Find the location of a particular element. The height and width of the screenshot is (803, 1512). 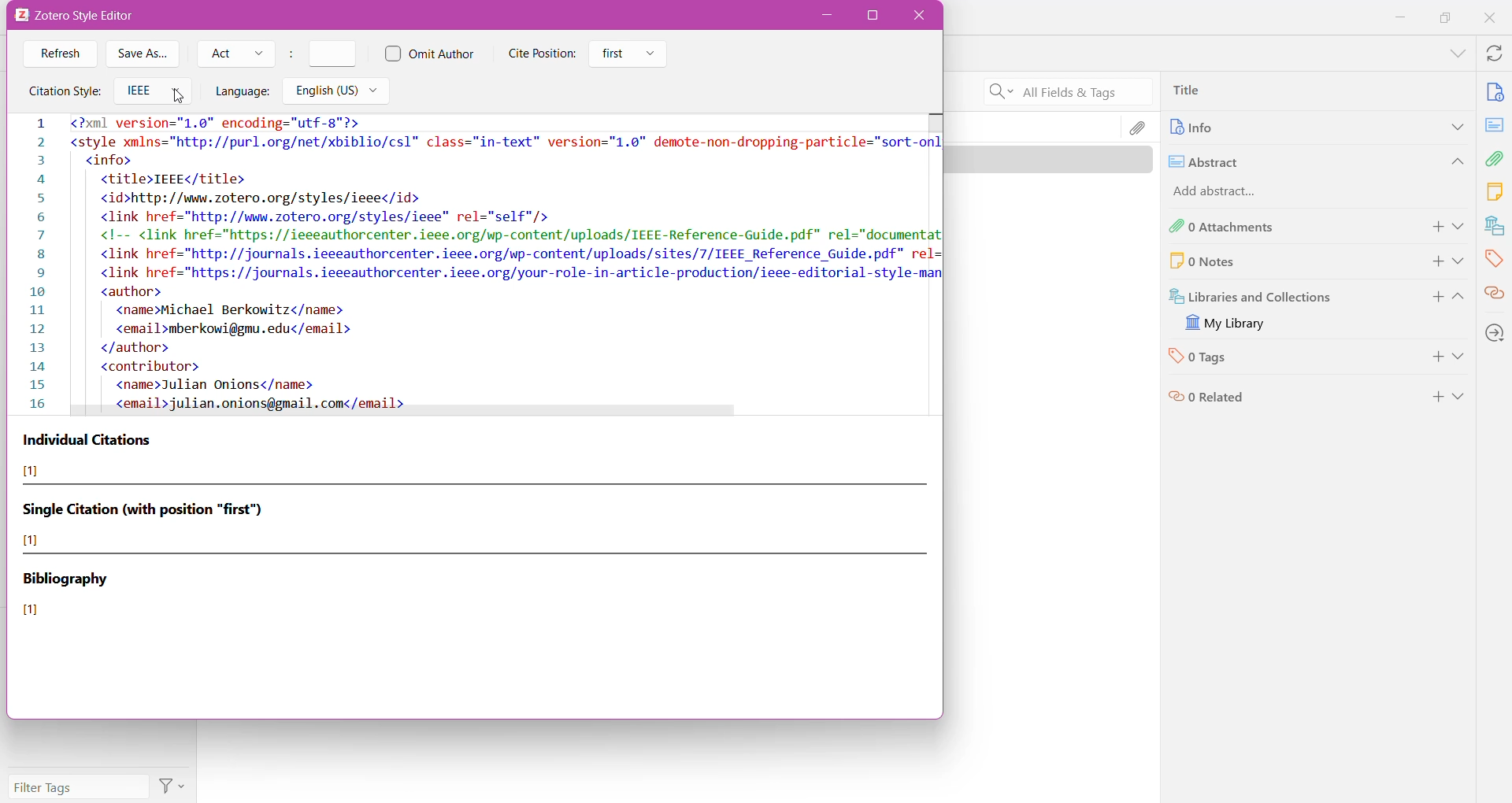

first is located at coordinates (629, 54).